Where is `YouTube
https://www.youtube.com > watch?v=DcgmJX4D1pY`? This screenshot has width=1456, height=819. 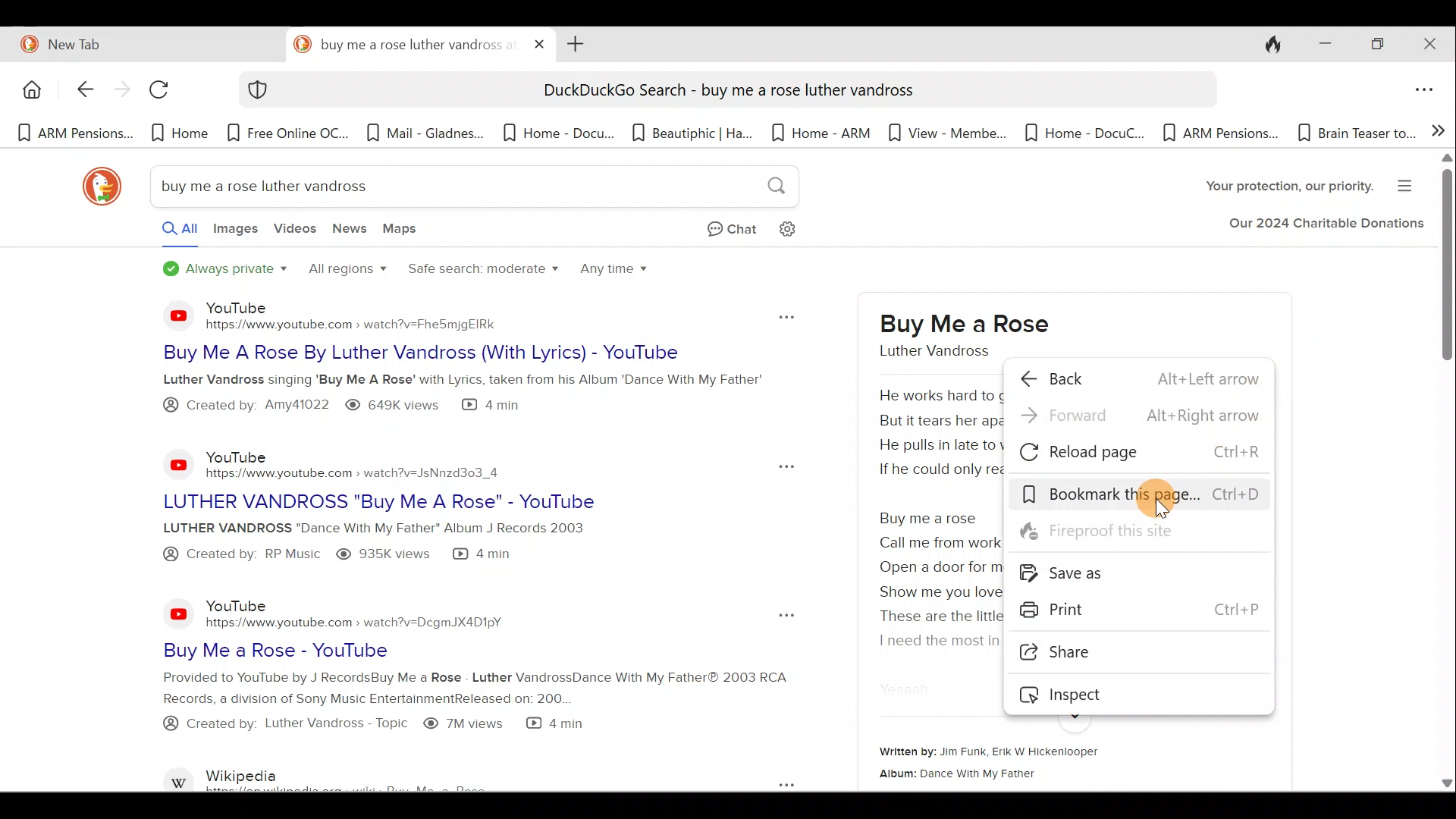
YouTube
https://www.youtube.com > watch?v=DcgmJX4D1pY is located at coordinates (362, 613).